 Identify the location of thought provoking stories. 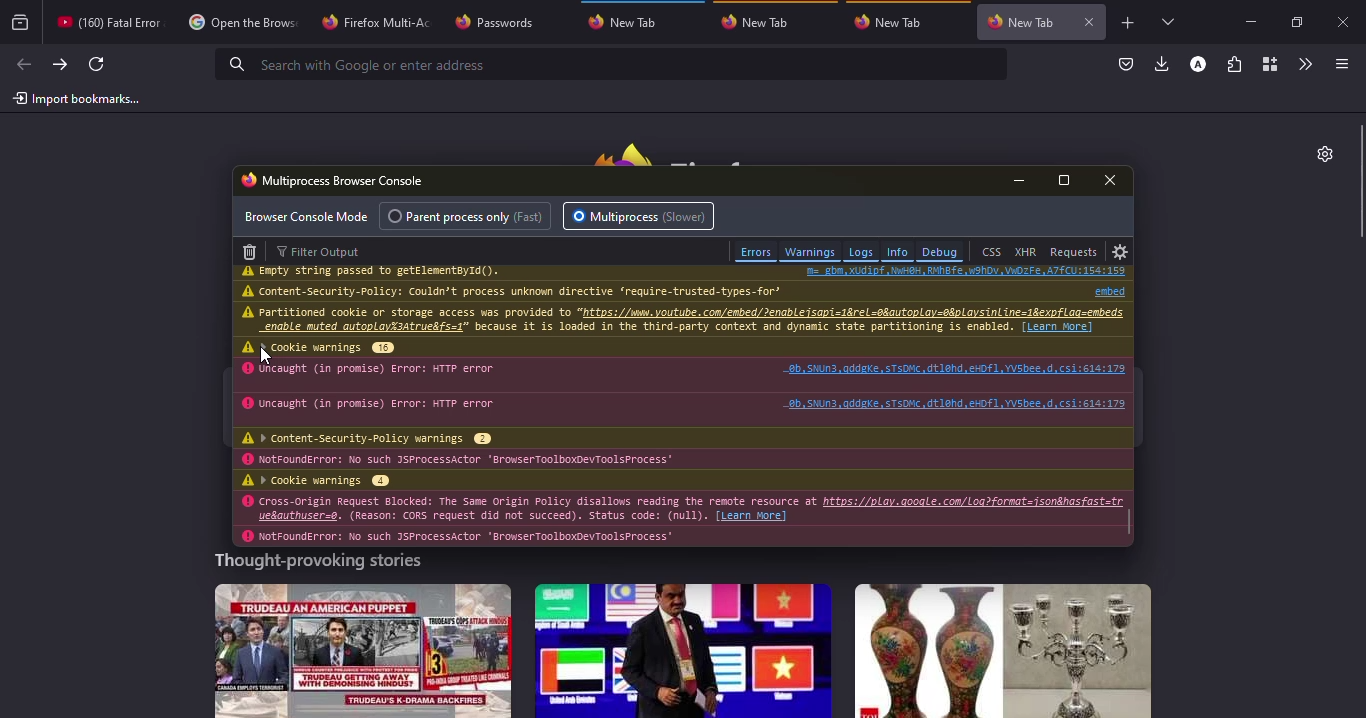
(316, 563).